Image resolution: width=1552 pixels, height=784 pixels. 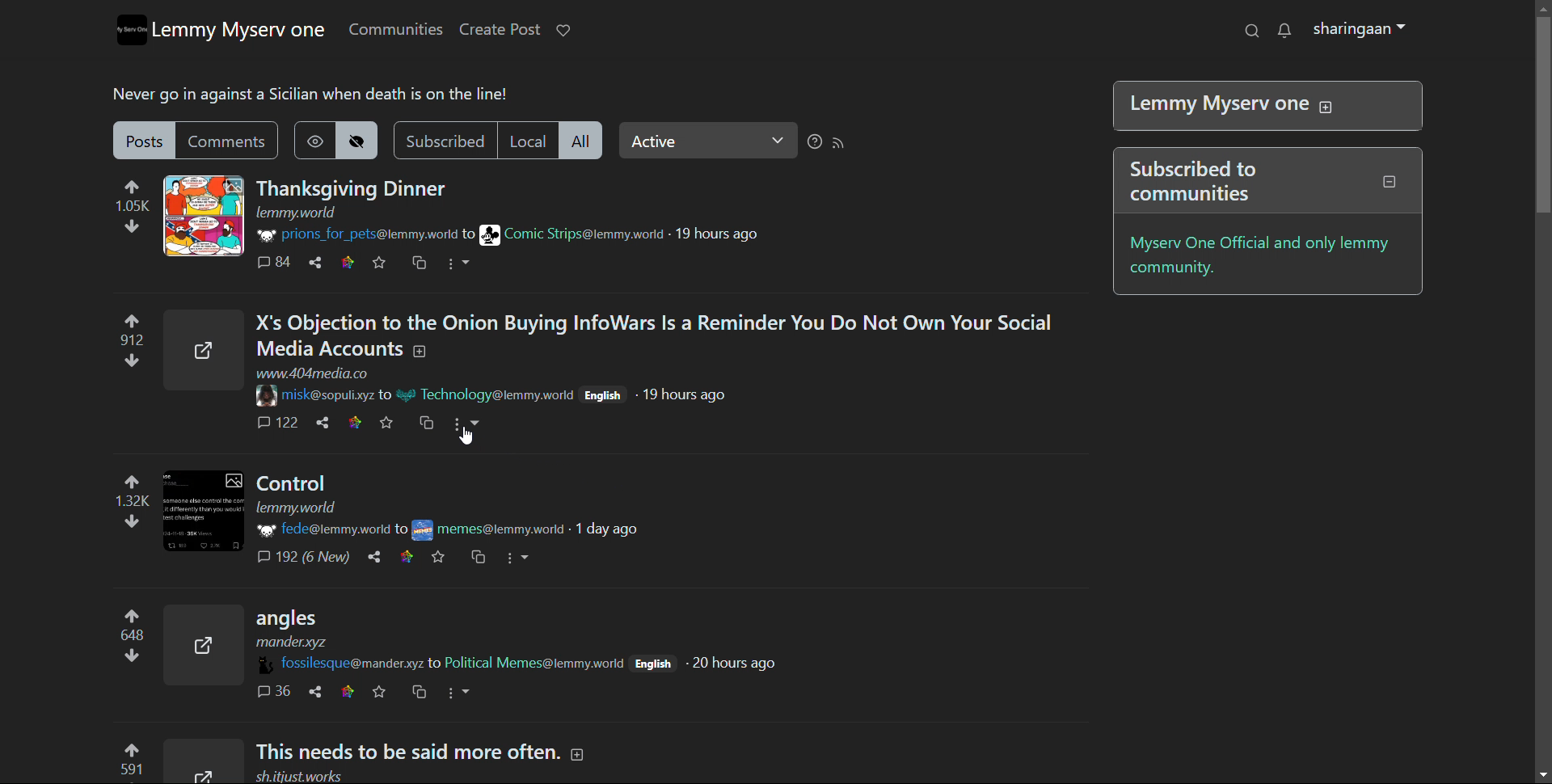 I want to click on favorites, so click(x=377, y=691).